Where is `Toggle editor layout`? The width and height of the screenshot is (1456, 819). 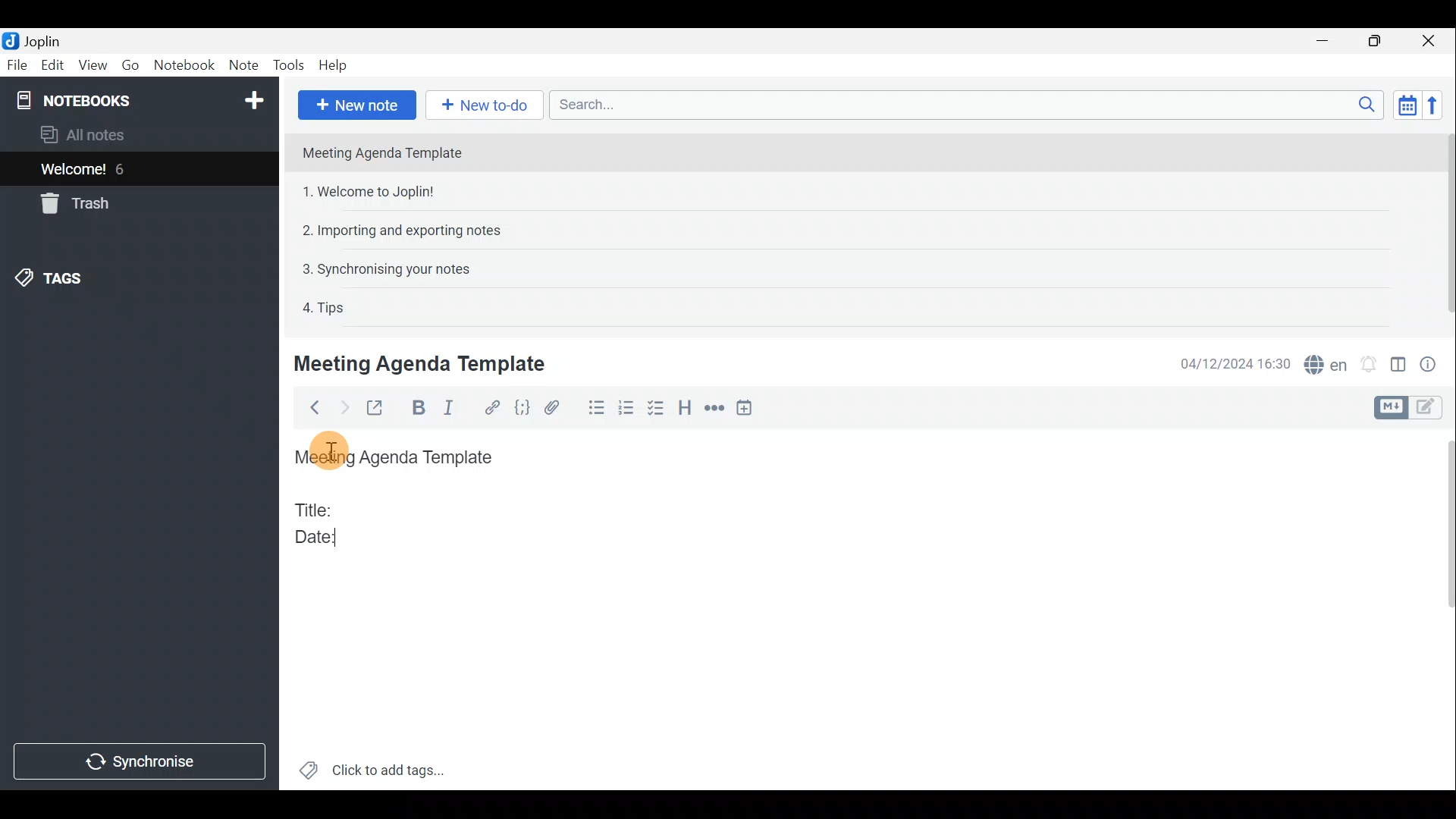
Toggle editor layout is located at coordinates (1399, 367).